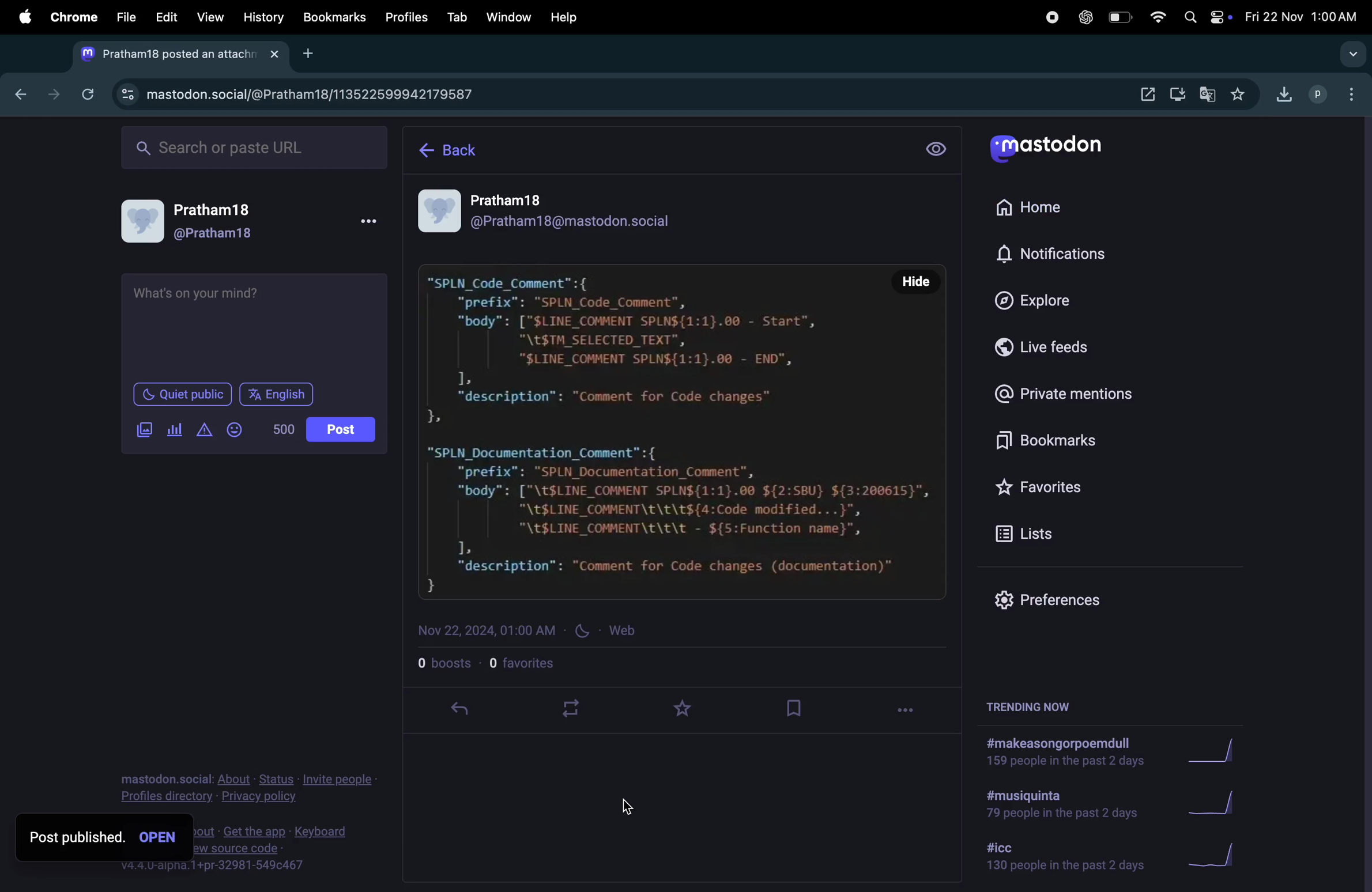 The image size is (1372, 892). Describe the element at coordinates (210, 17) in the screenshot. I see `view` at that location.